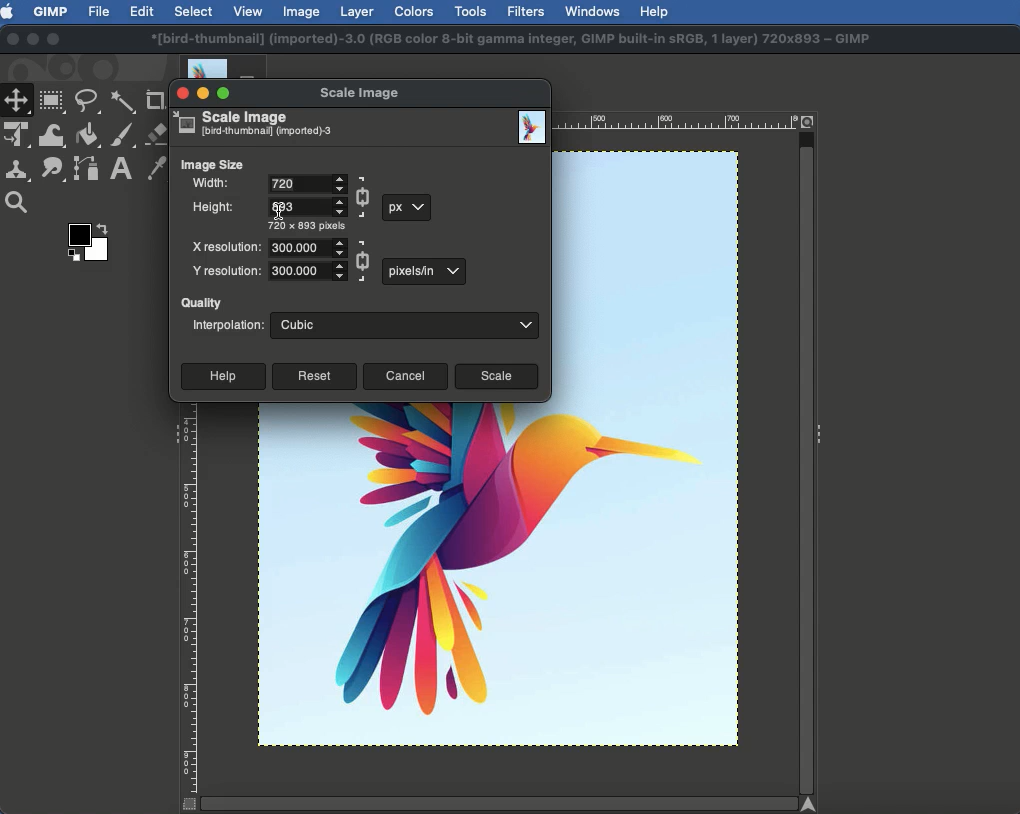  I want to click on Unified transform tool, so click(17, 133).